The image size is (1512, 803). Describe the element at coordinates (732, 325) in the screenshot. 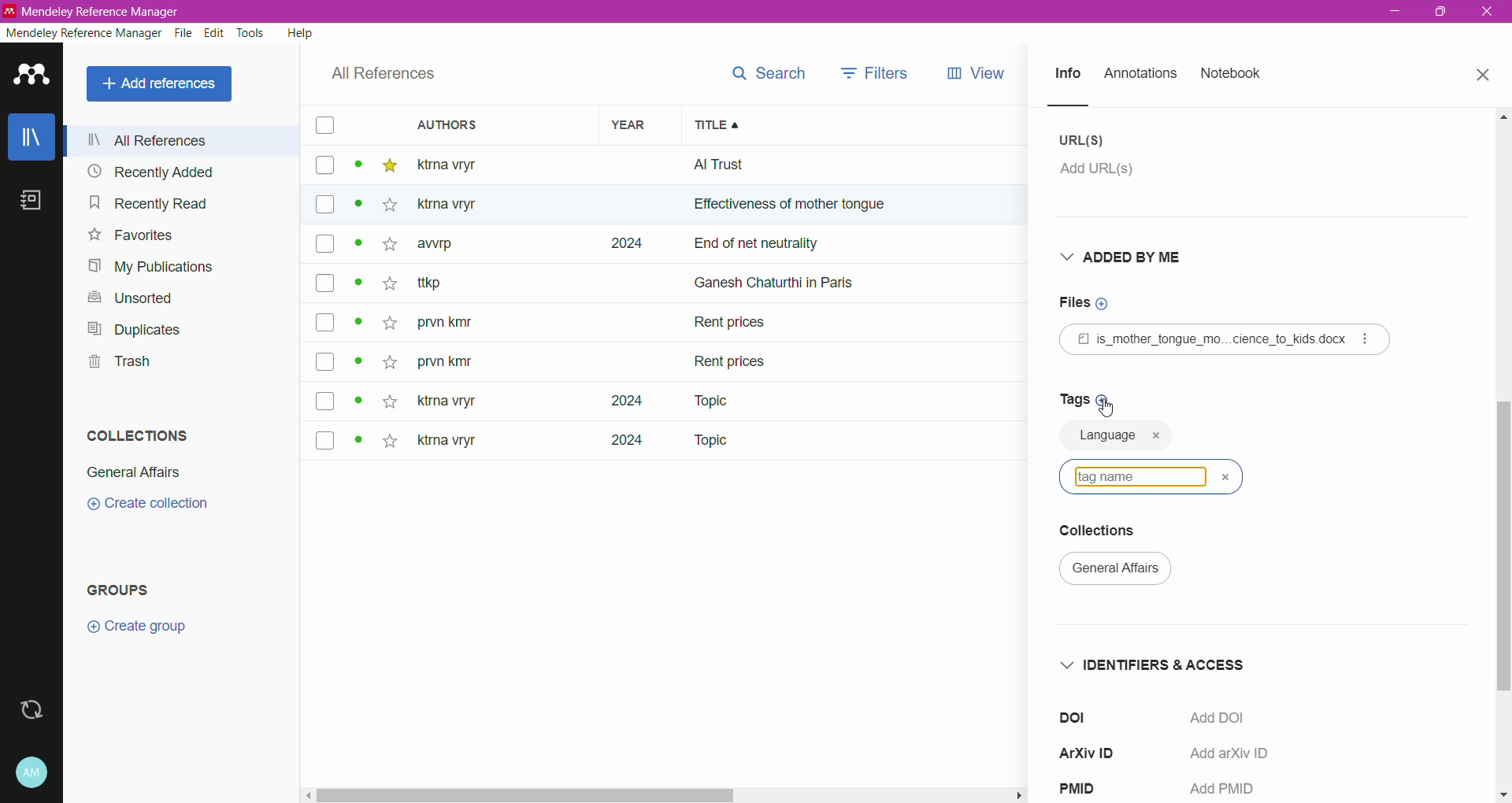

I see `Rent prices` at that location.